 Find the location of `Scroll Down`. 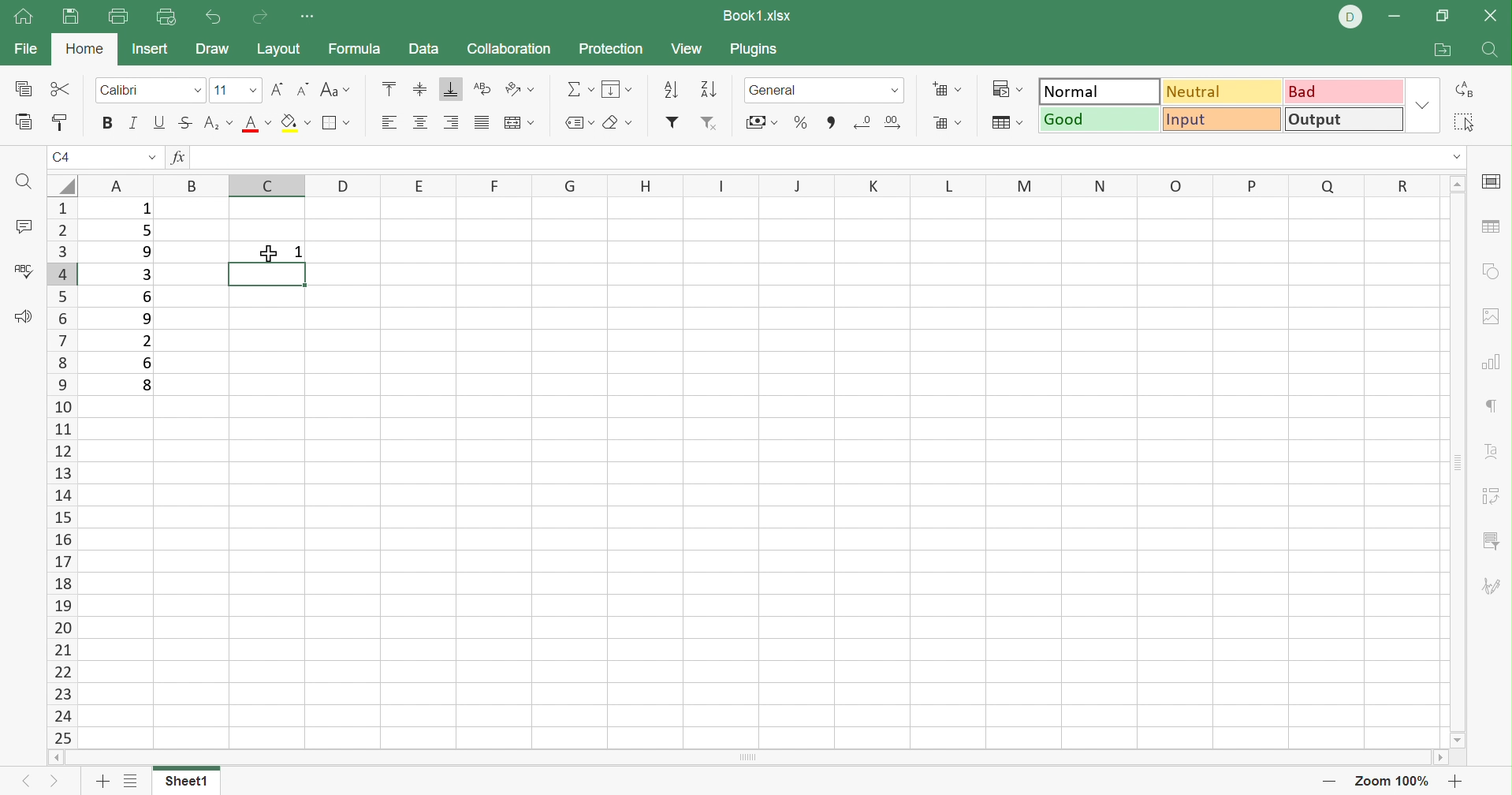

Scroll Down is located at coordinates (1461, 739).